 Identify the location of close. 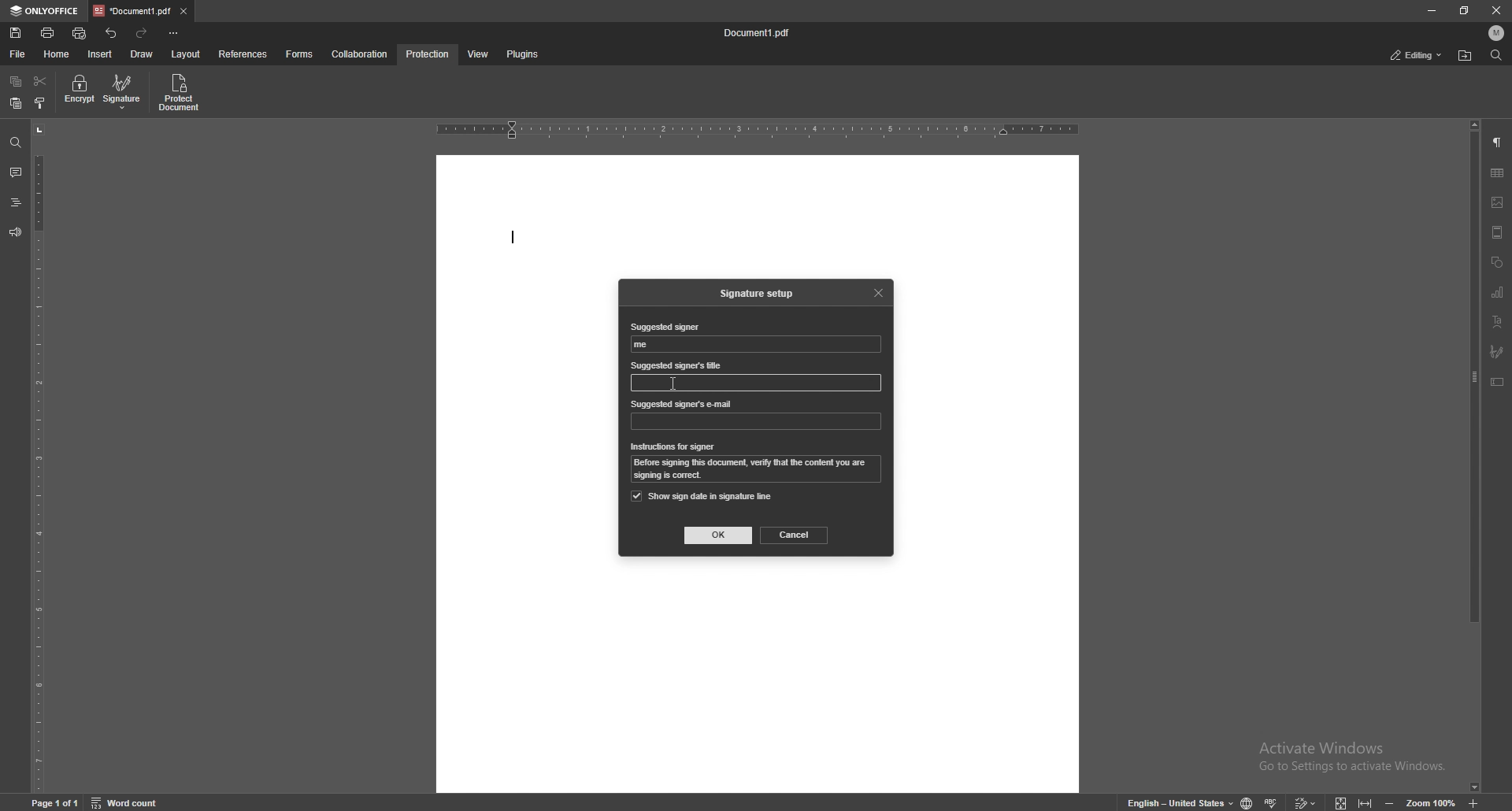
(880, 291).